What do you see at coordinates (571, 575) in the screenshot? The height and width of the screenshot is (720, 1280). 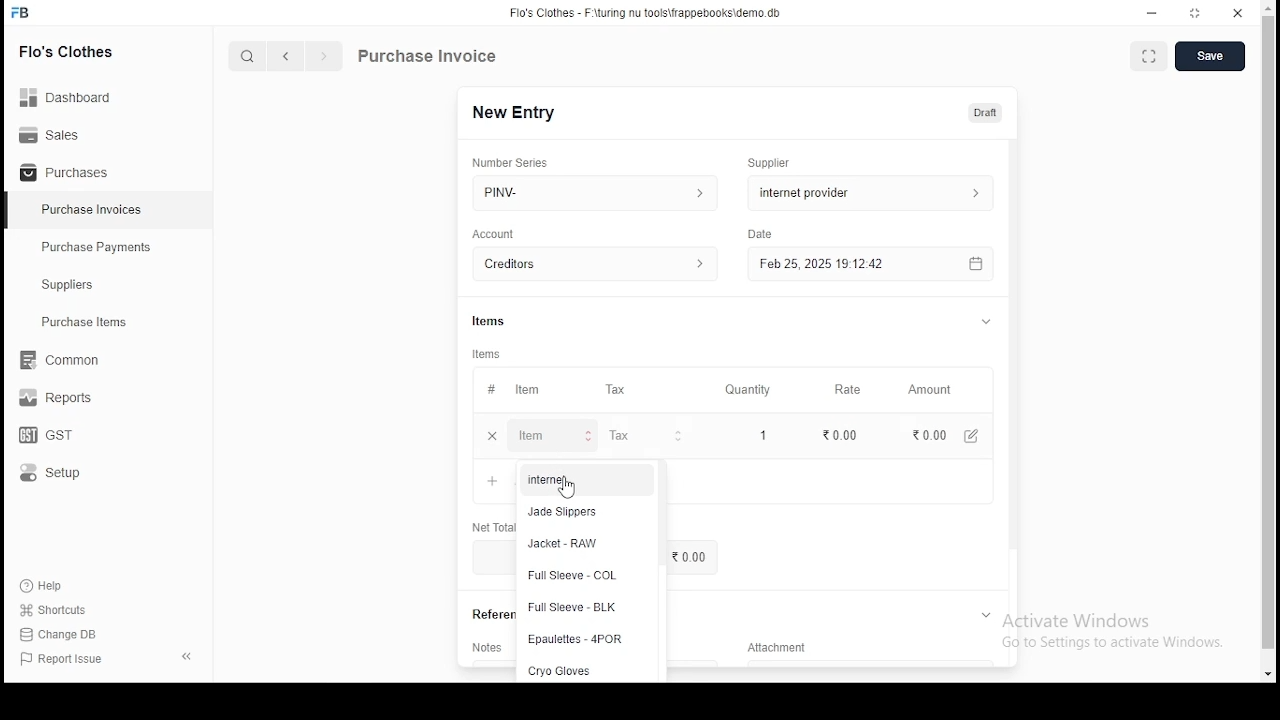 I see `full sleeves - col` at bounding box center [571, 575].